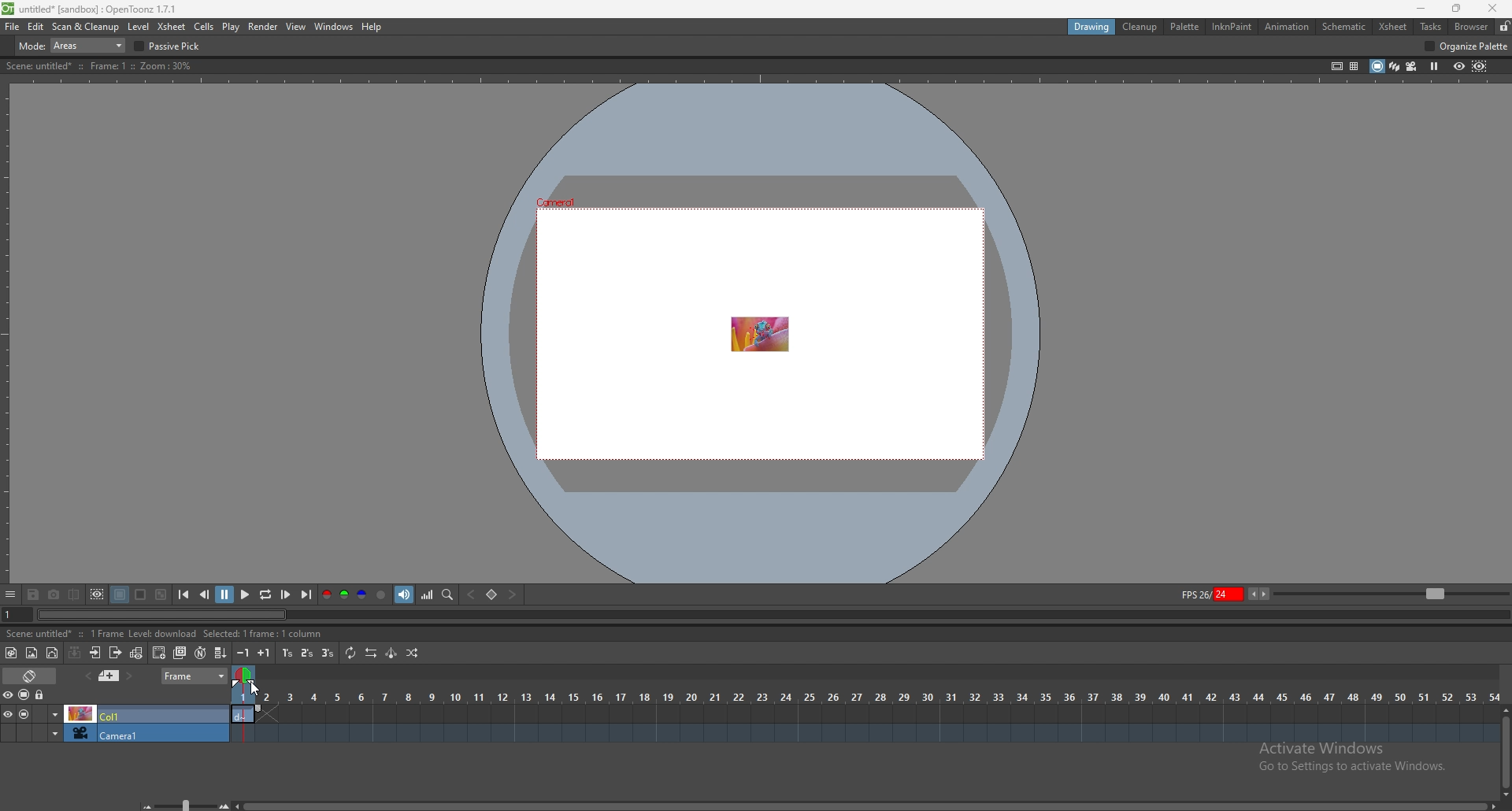 This screenshot has width=1512, height=811. What do you see at coordinates (472, 594) in the screenshot?
I see `previous key` at bounding box center [472, 594].